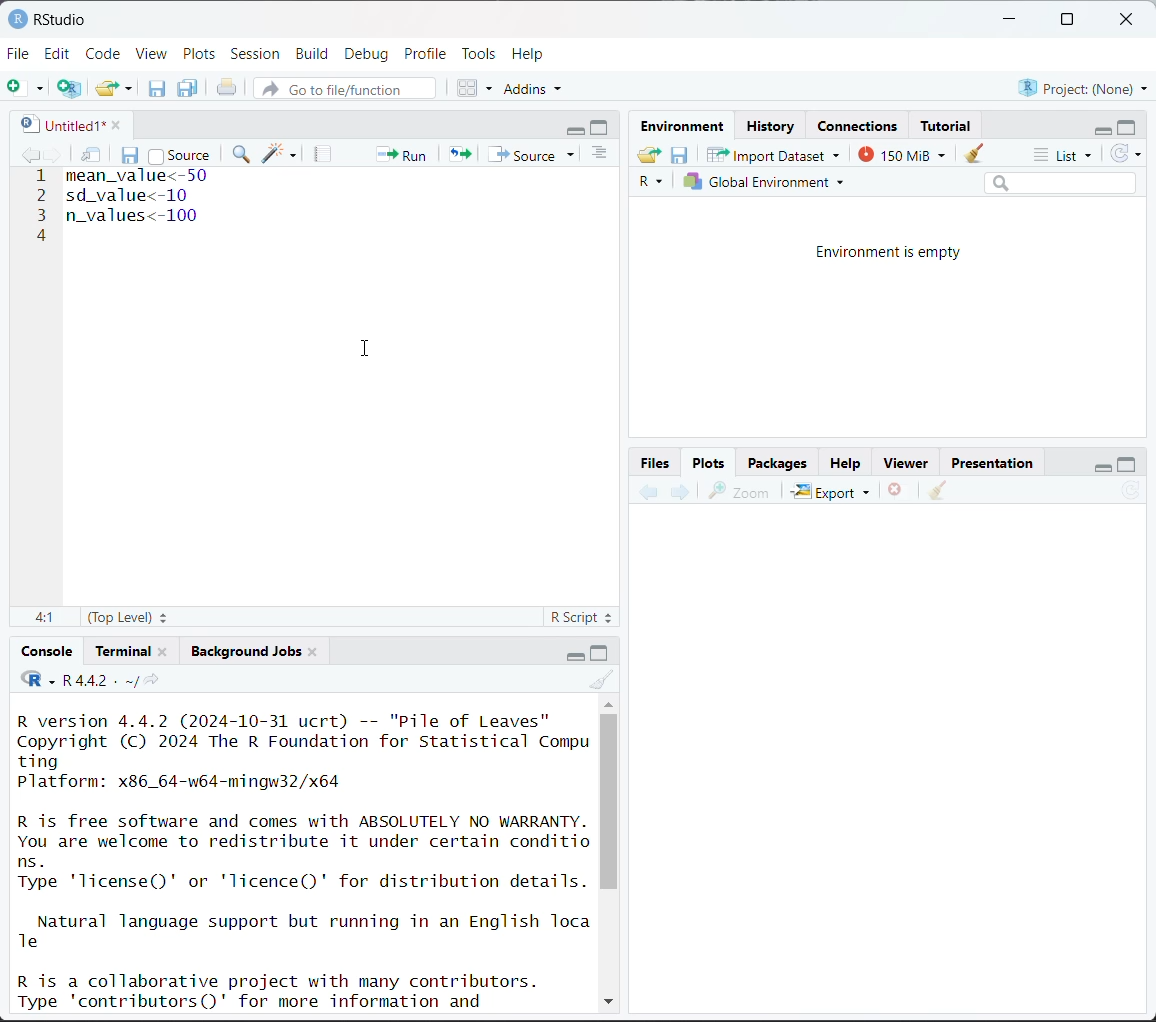  I want to click on minimize, so click(1011, 20).